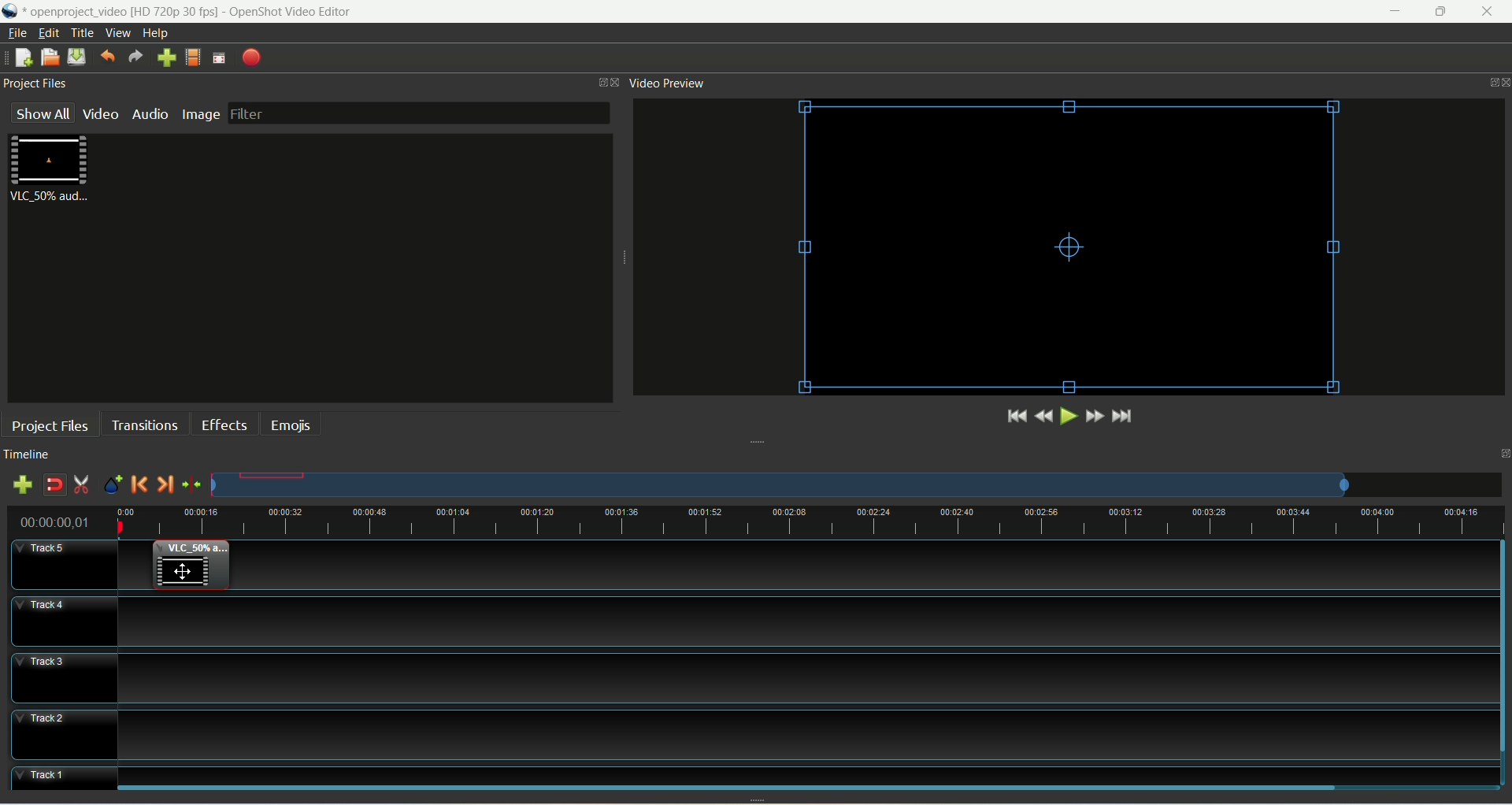  I want to click on fullscreen, so click(220, 58).